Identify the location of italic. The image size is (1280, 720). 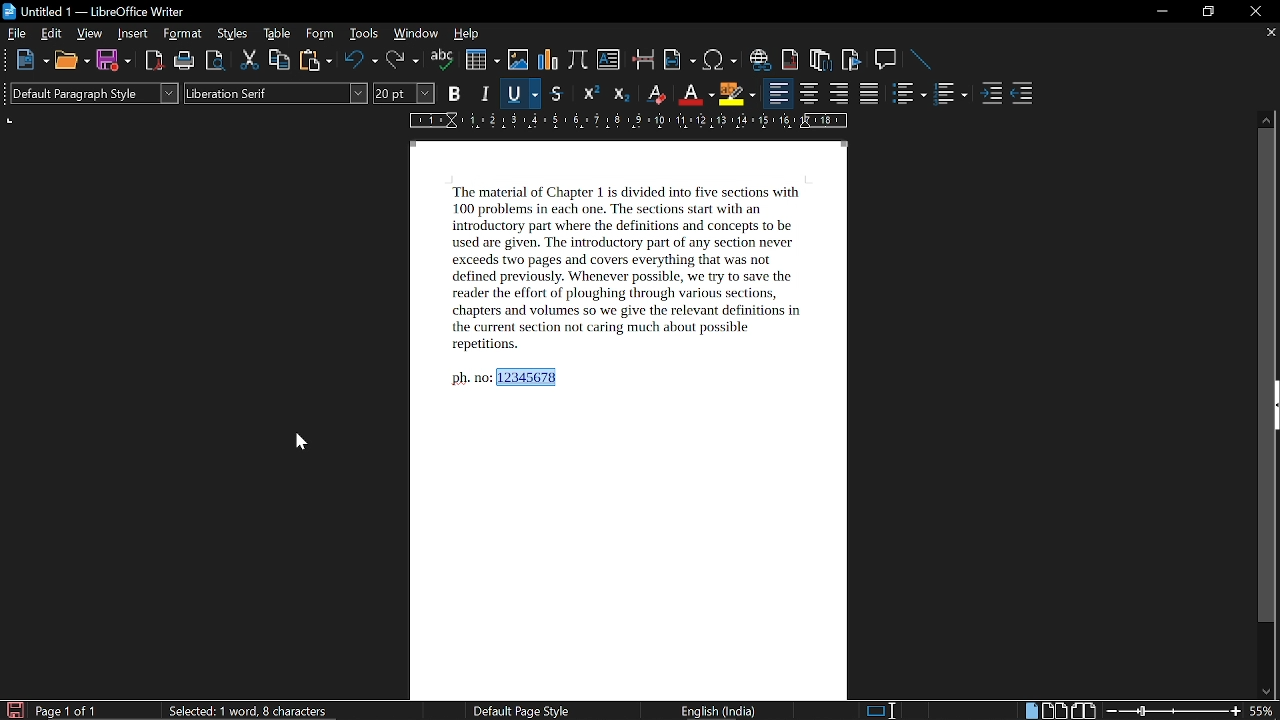
(486, 94).